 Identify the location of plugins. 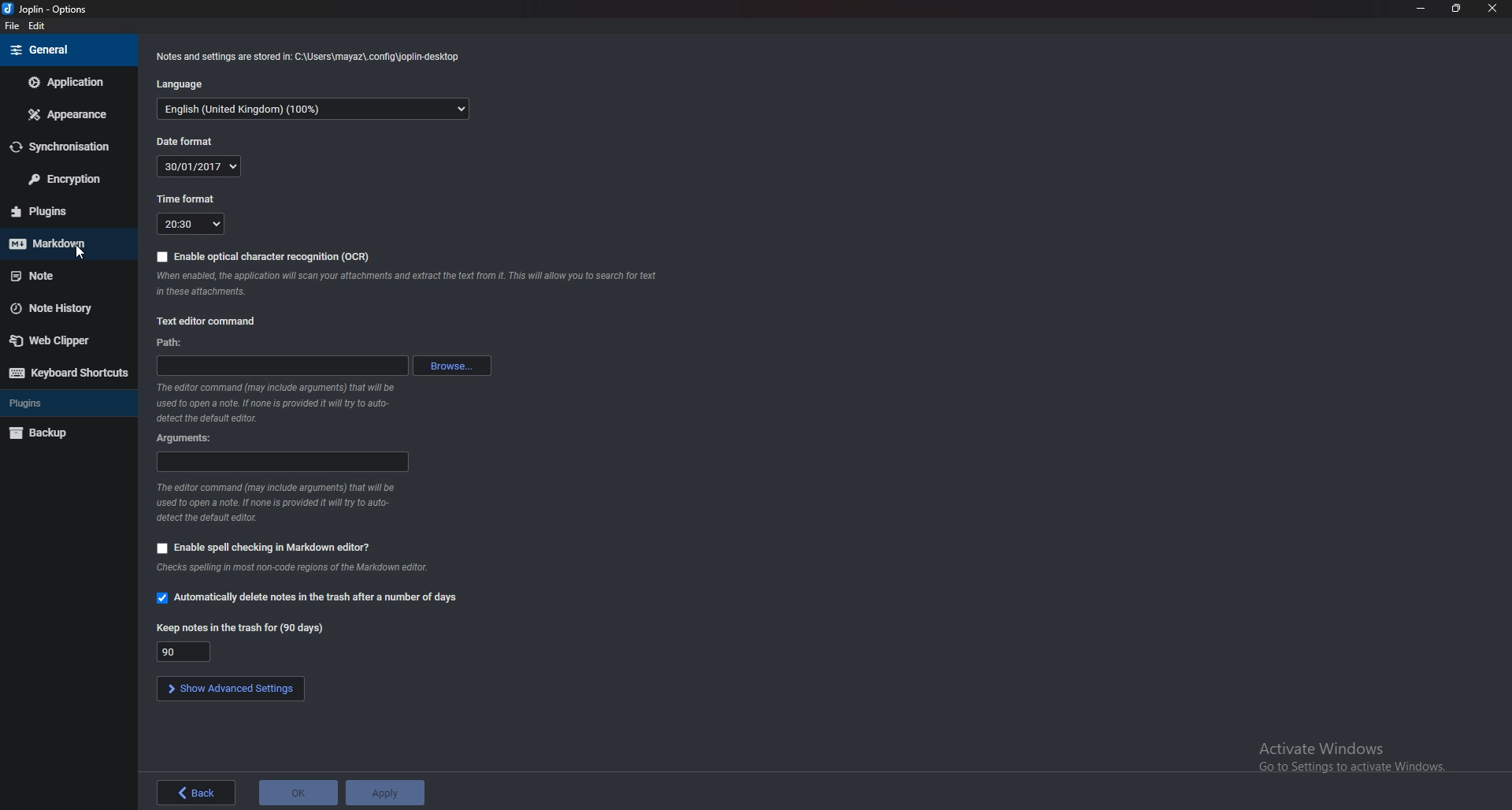
(57, 211).